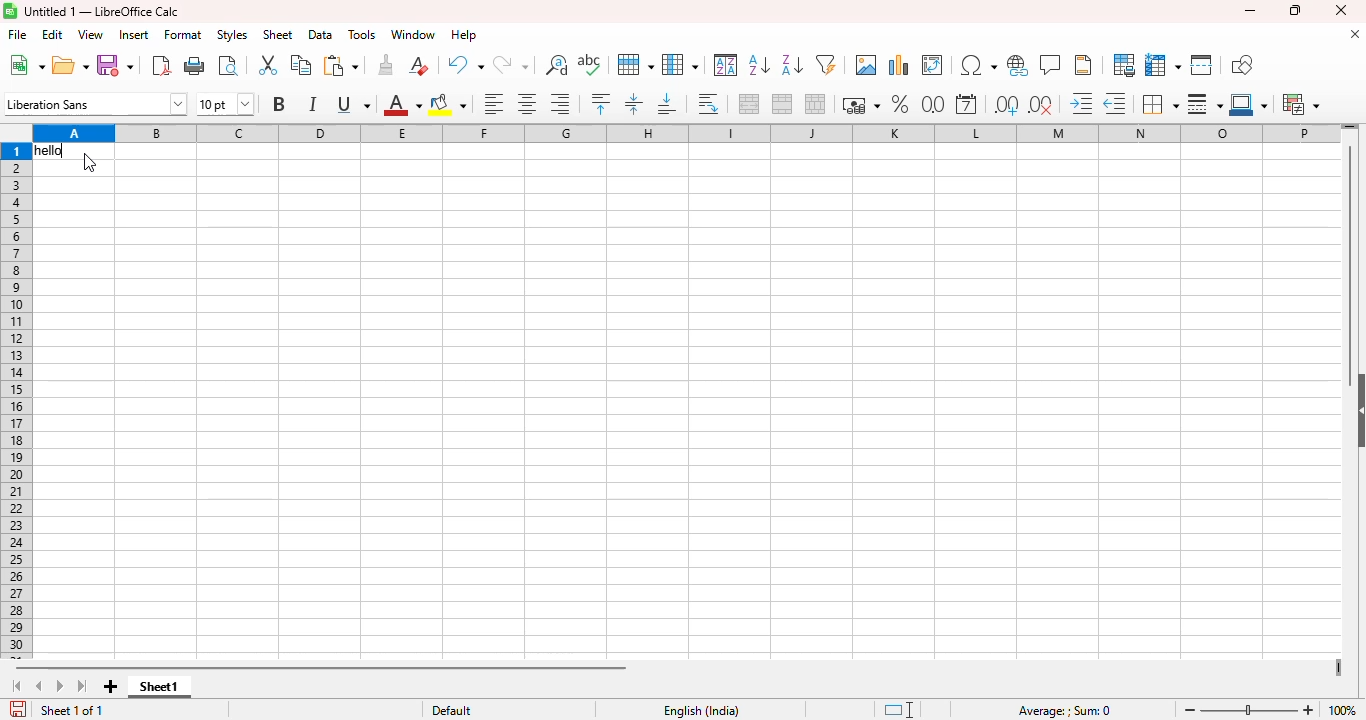 The image size is (1366, 720). I want to click on sort ascending, so click(759, 64).